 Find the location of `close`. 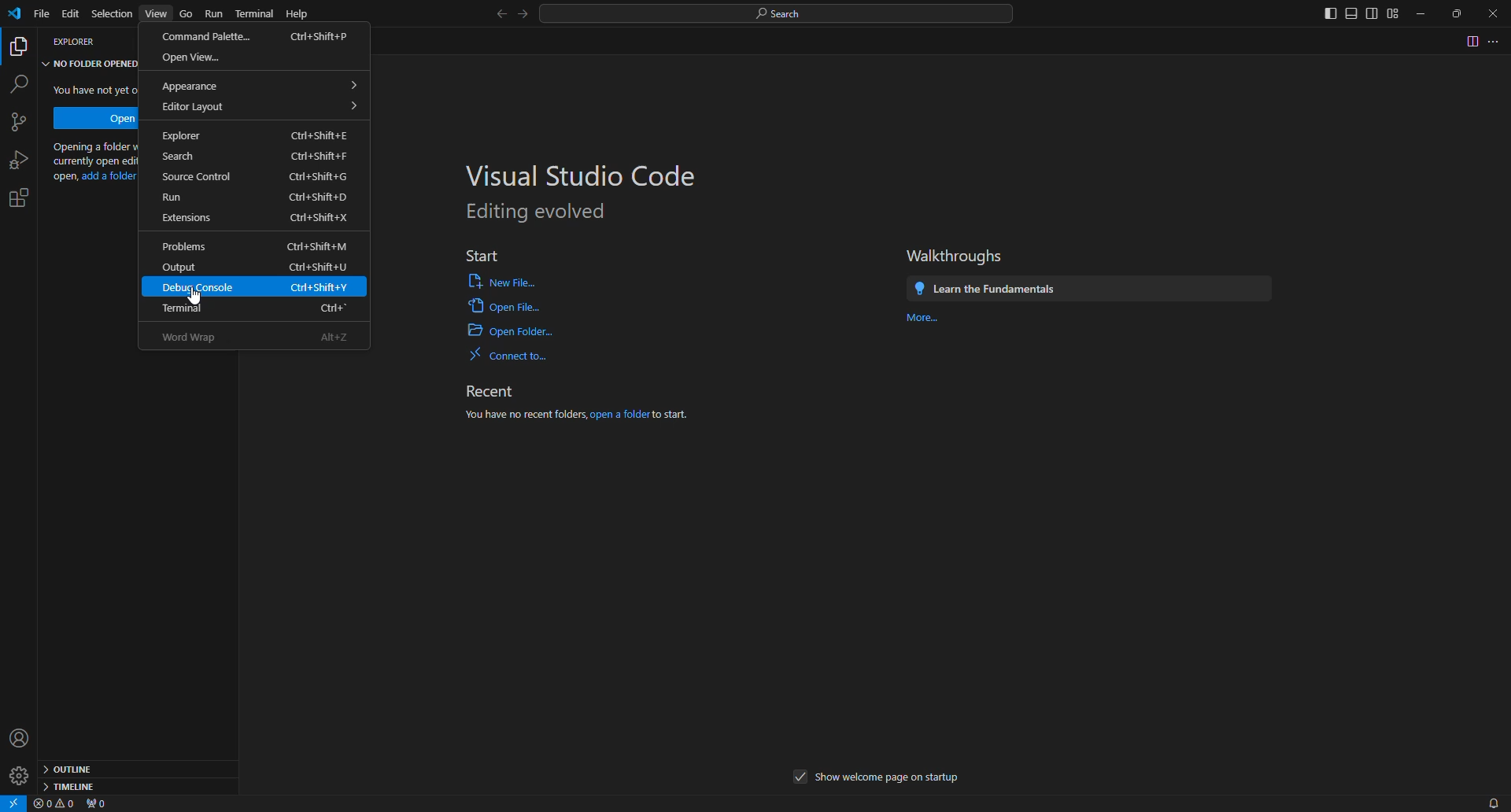

close is located at coordinates (1494, 13).